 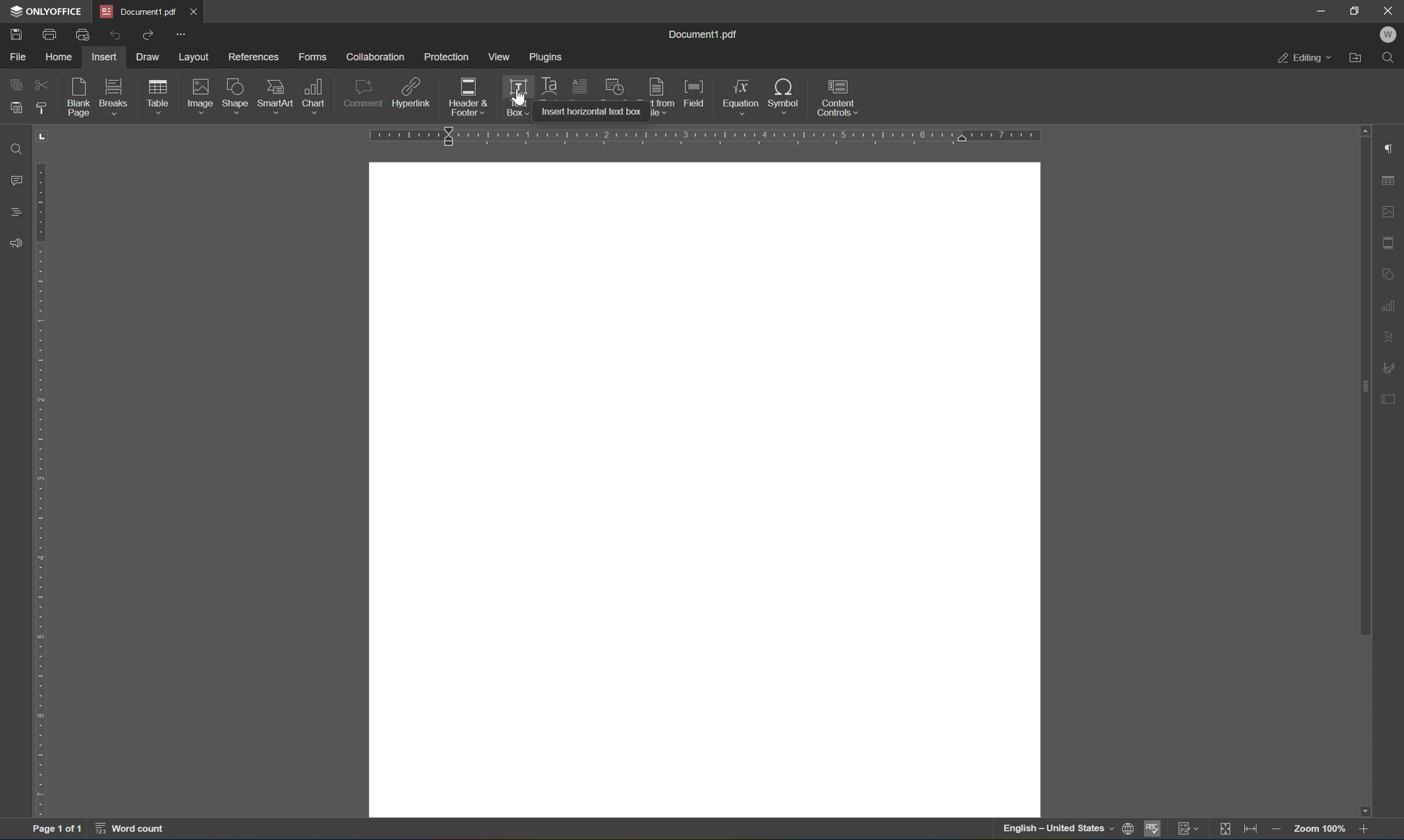 What do you see at coordinates (1225, 830) in the screenshot?
I see `fit to page` at bounding box center [1225, 830].